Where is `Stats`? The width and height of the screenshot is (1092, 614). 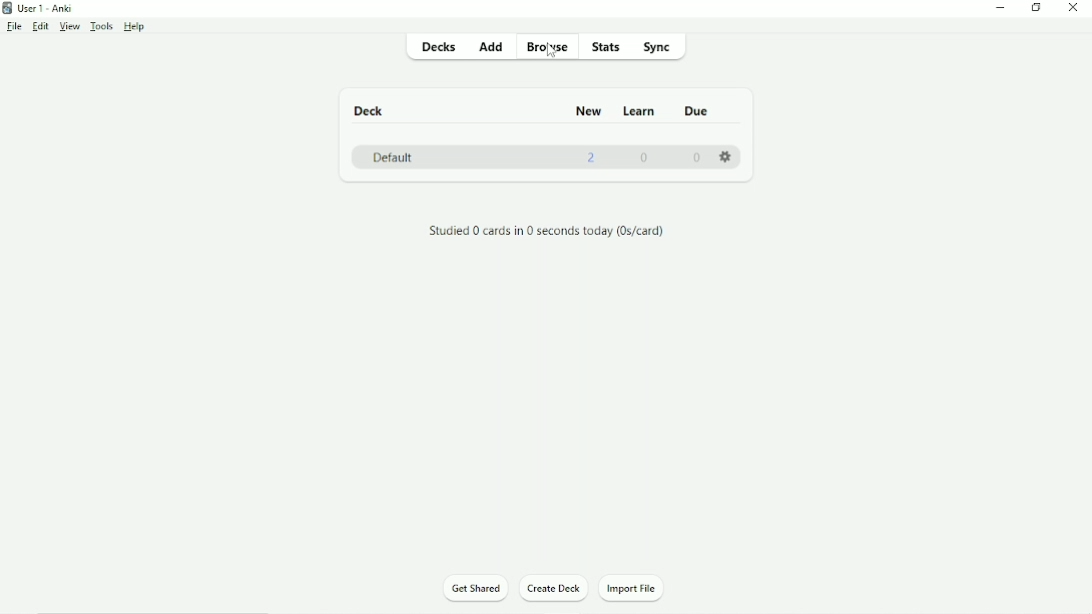
Stats is located at coordinates (605, 48).